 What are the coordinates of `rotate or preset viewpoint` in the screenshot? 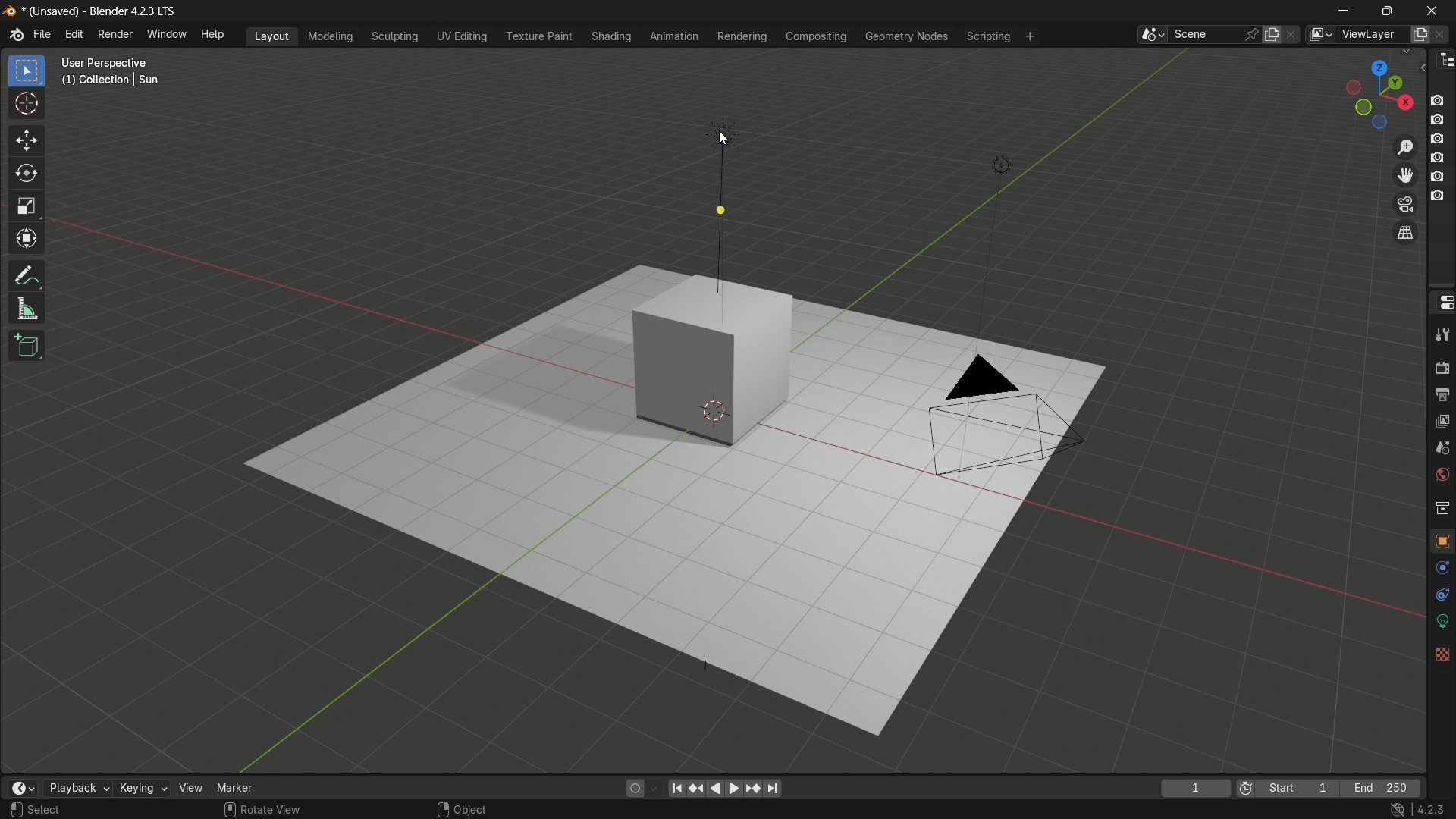 It's located at (1373, 93).